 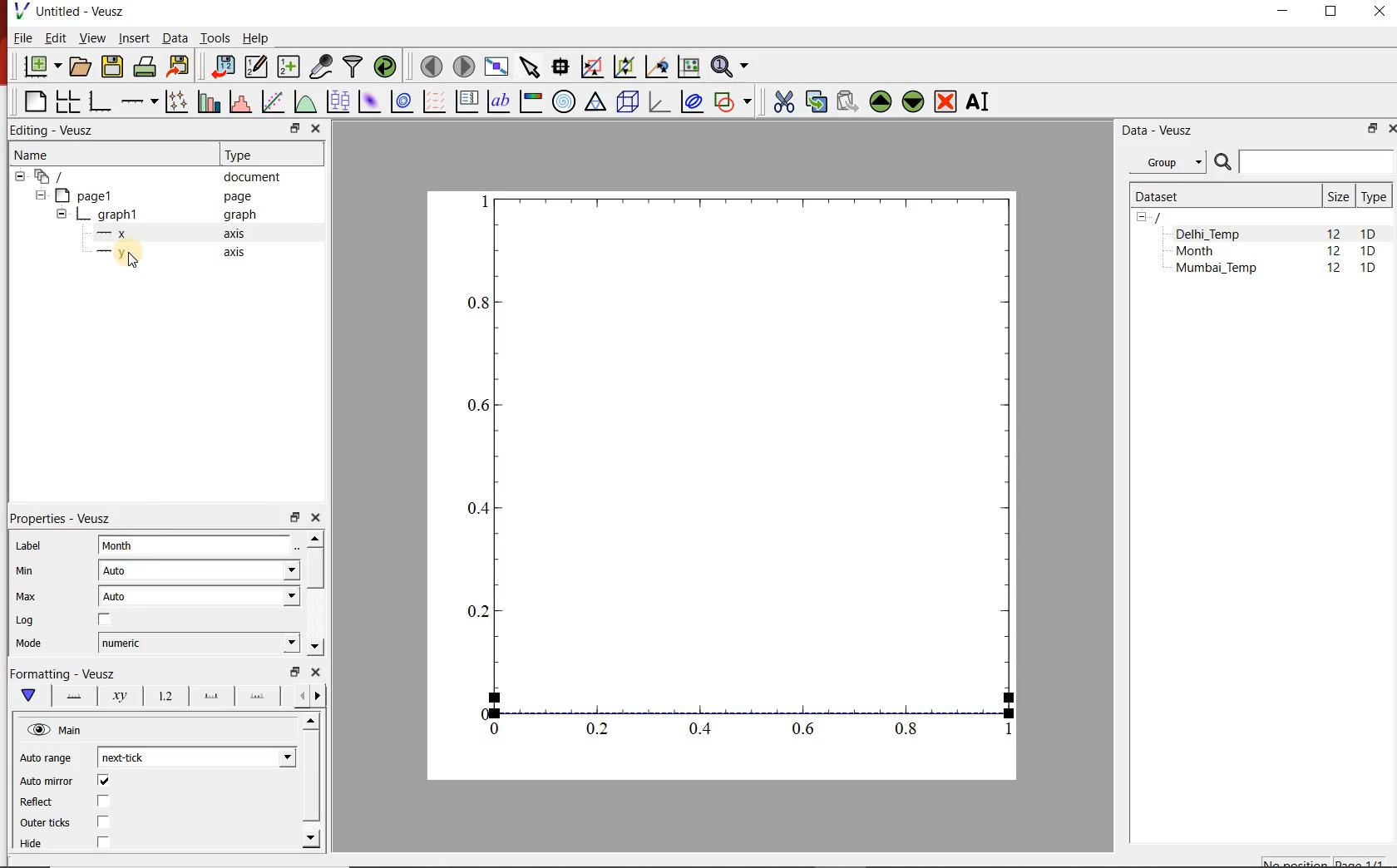 I want to click on numeric, so click(x=199, y=643).